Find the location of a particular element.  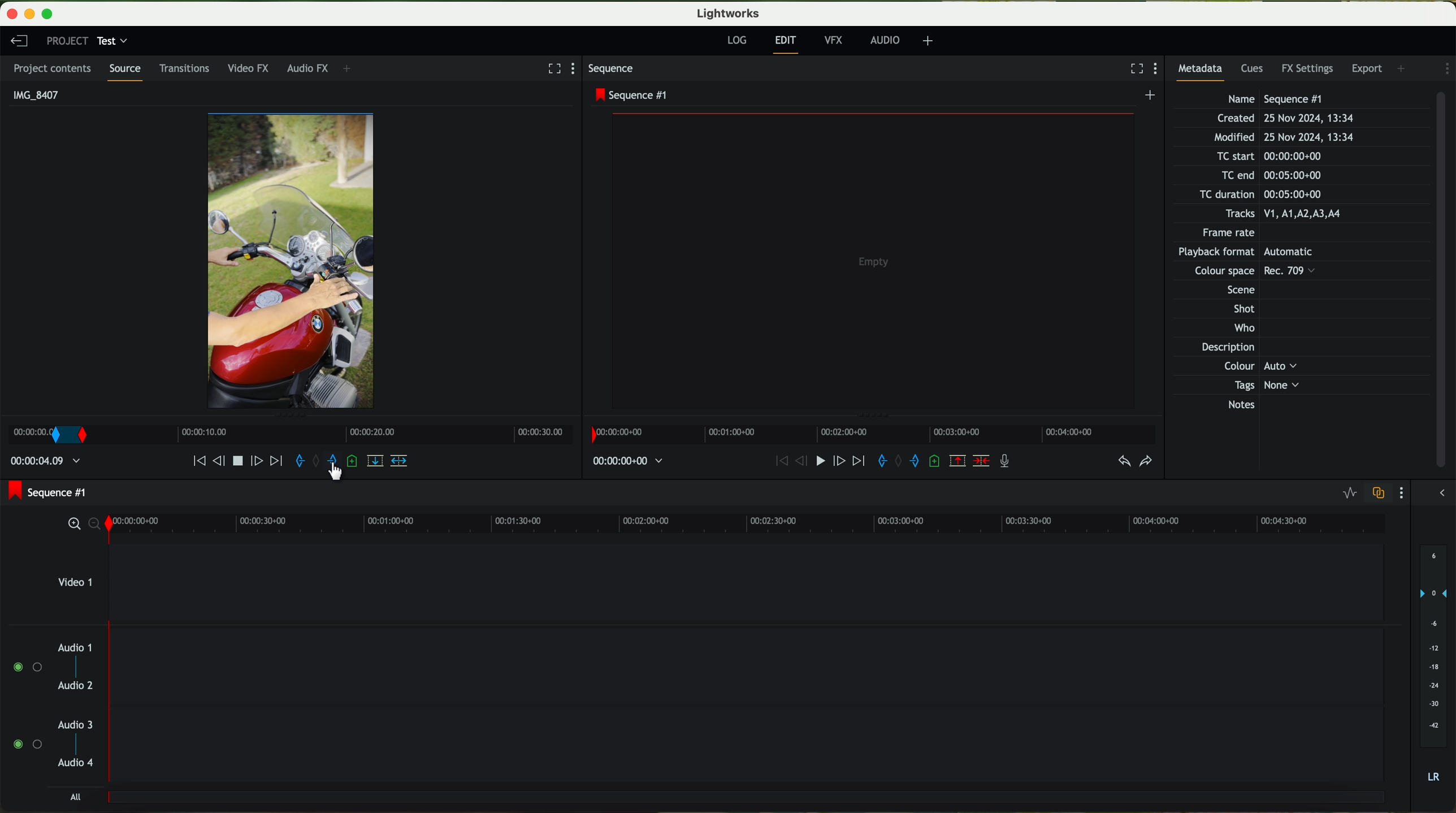

move backward is located at coordinates (193, 461).